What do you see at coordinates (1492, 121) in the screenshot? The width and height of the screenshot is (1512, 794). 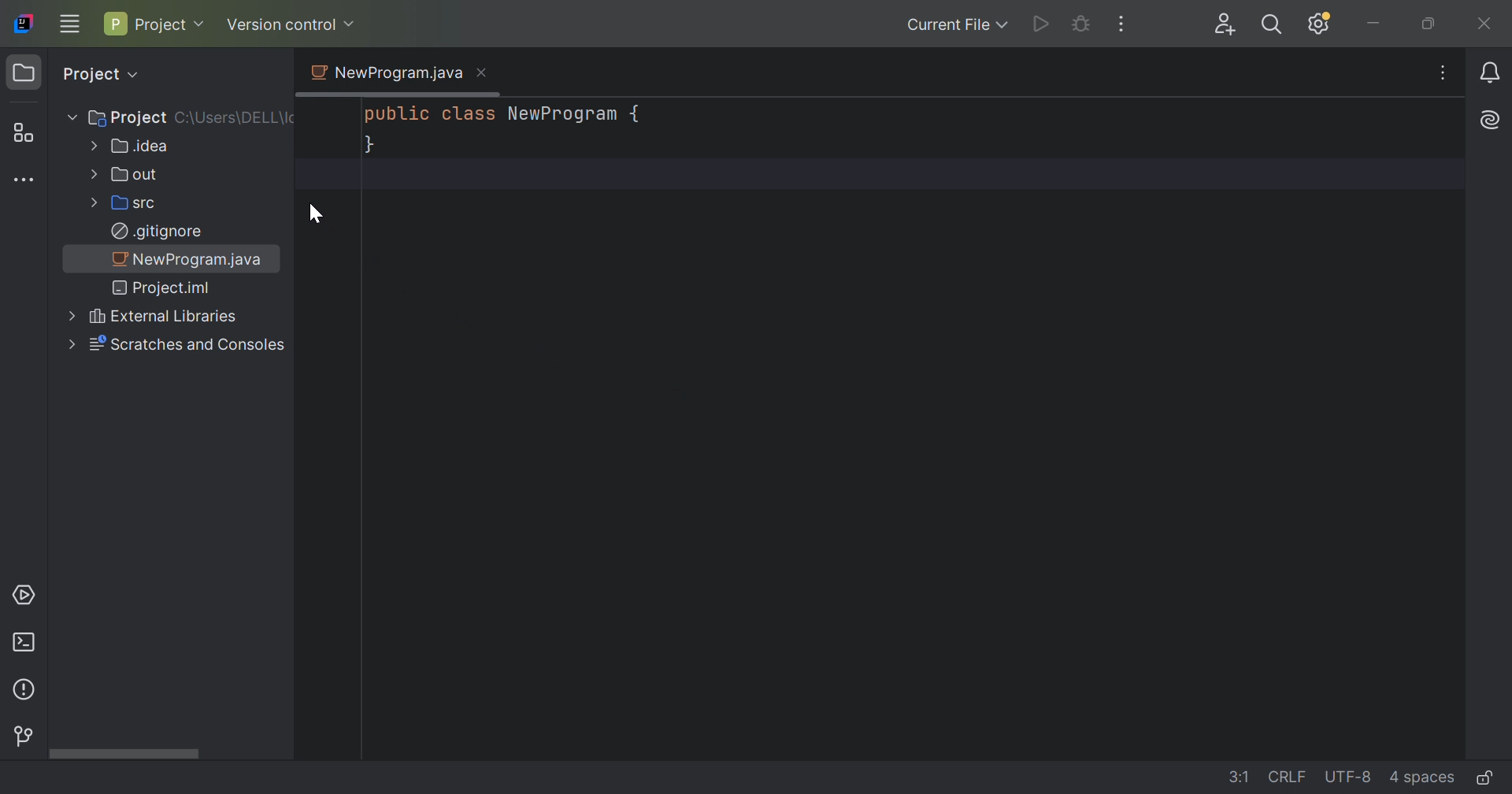 I see `AI assistant` at bounding box center [1492, 121].